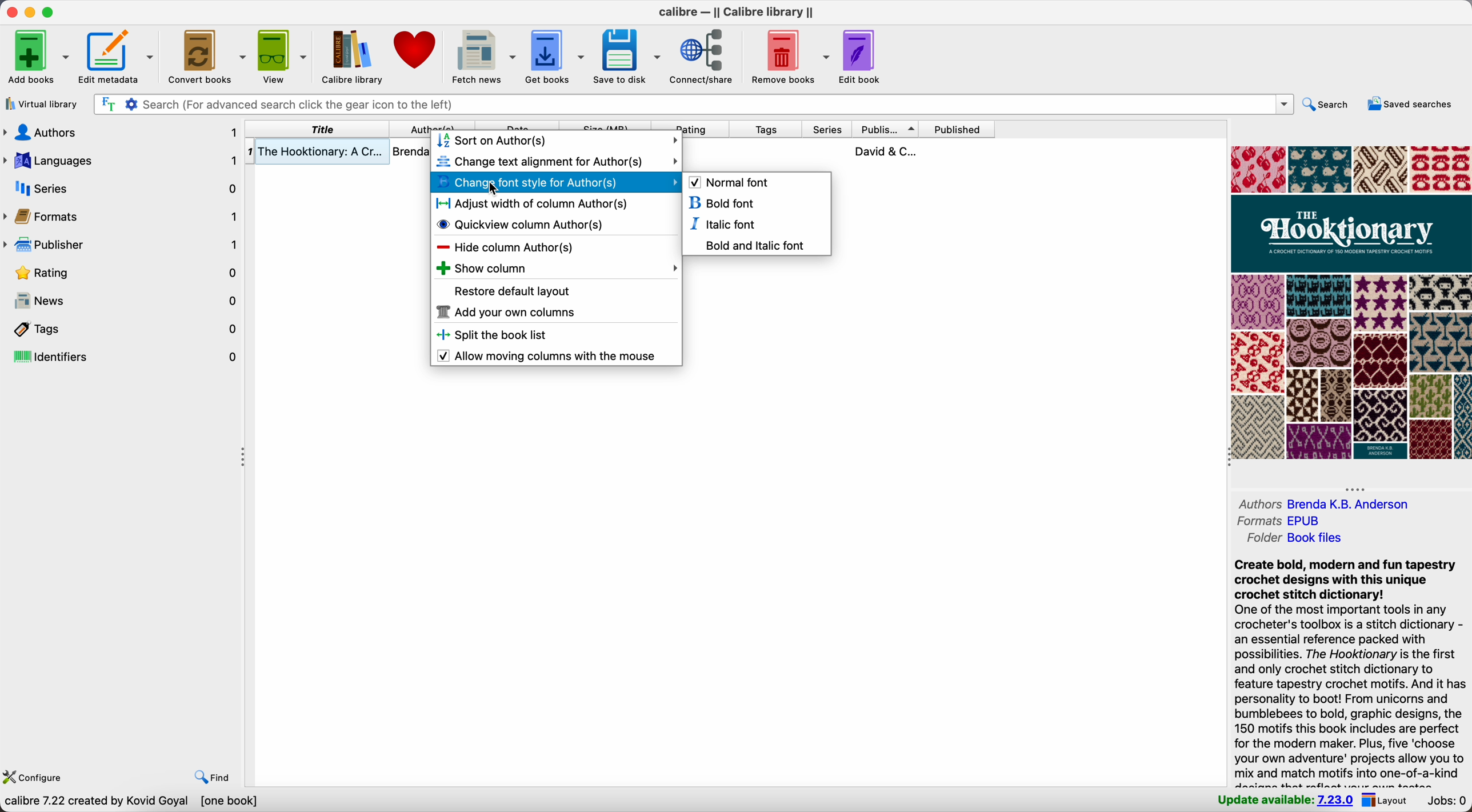 The height and width of the screenshot is (812, 1472). What do you see at coordinates (766, 130) in the screenshot?
I see `tags` at bounding box center [766, 130].